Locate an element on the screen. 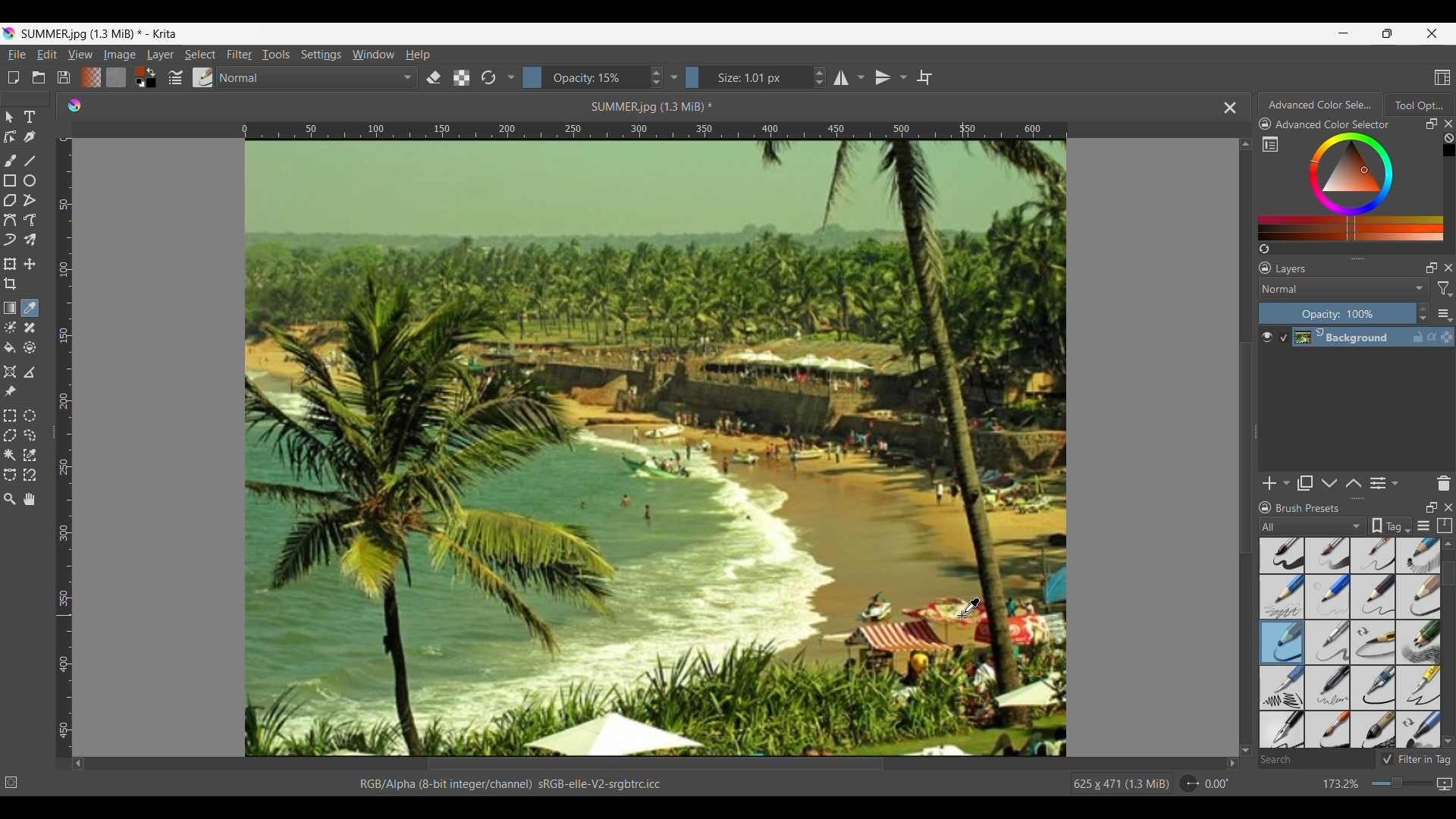 This screenshot has height=819, width=1456. Filter menu is located at coordinates (240, 54).